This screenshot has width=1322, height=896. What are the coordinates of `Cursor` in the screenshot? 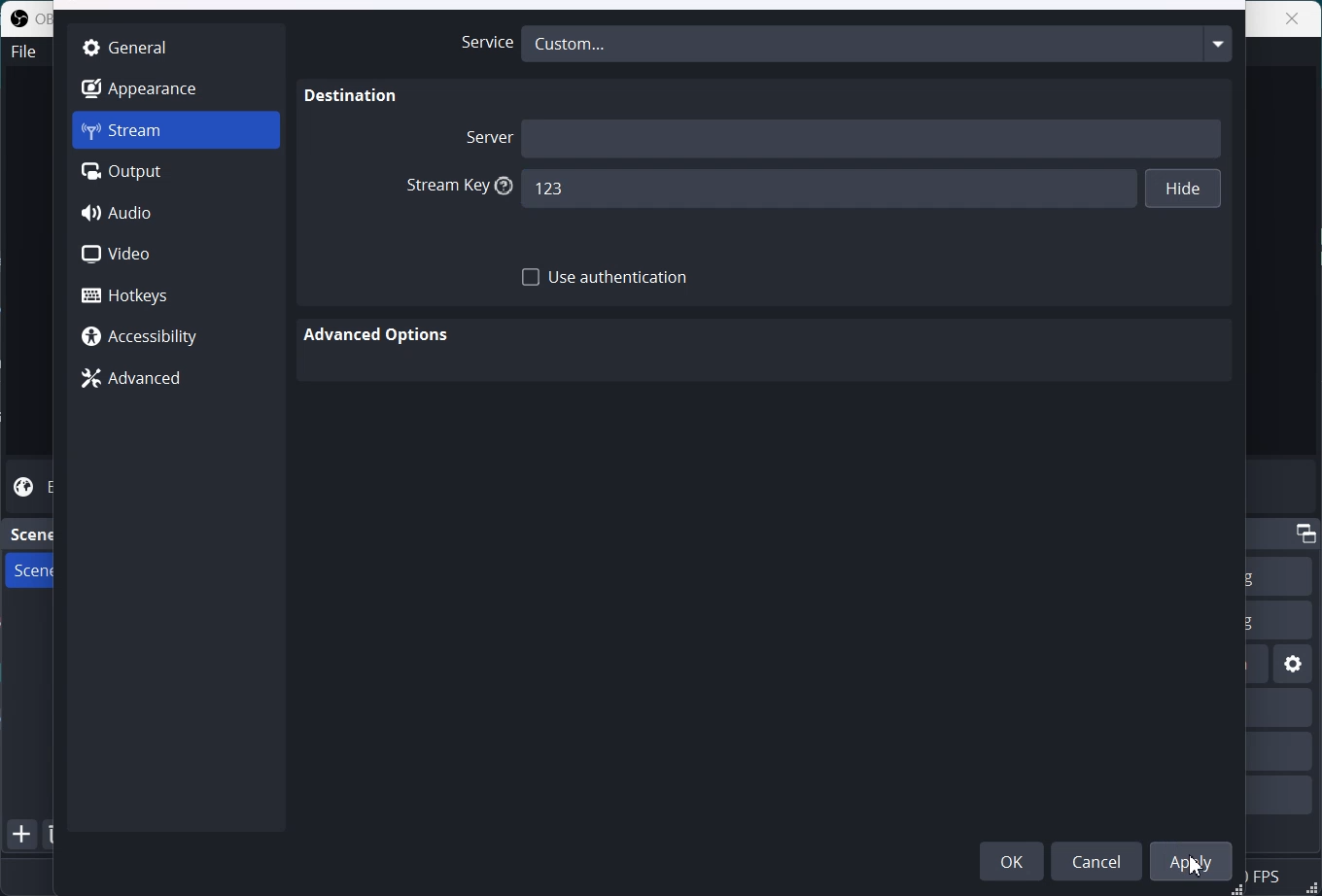 It's located at (1195, 864).